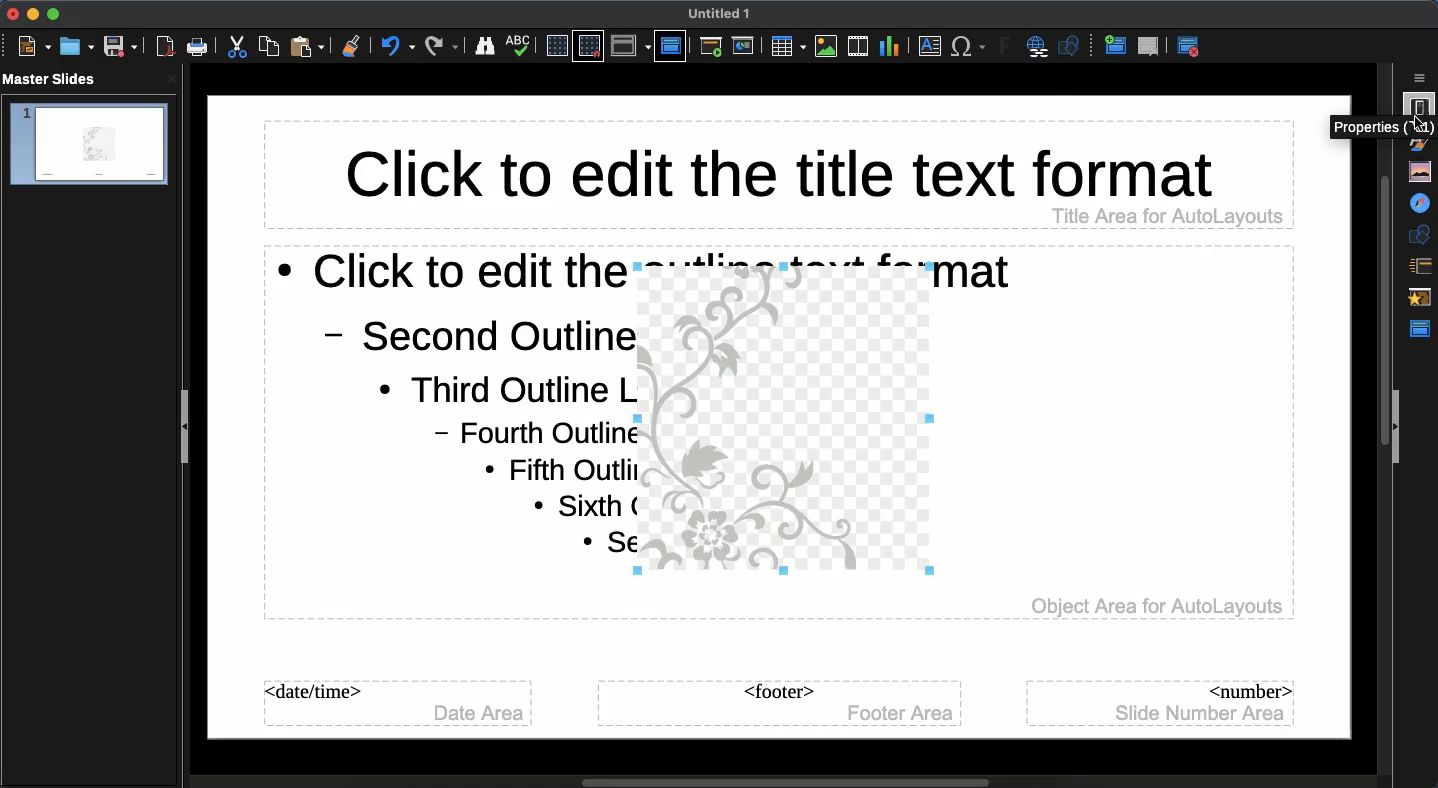 The image size is (1438, 788). What do you see at coordinates (826, 46) in the screenshot?
I see `Images` at bounding box center [826, 46].